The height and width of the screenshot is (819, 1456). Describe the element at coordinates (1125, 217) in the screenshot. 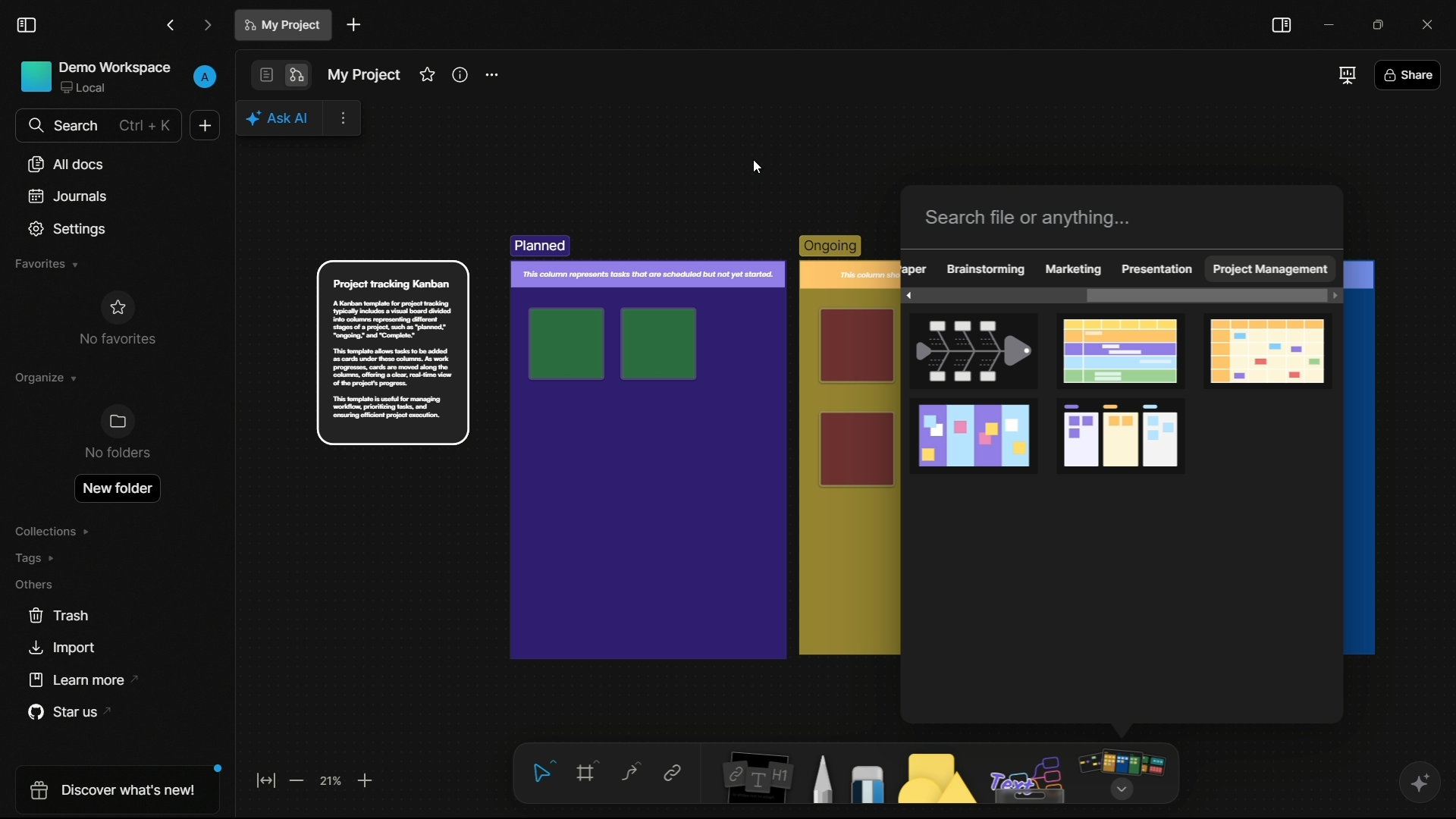

I see `search bar` at that location.